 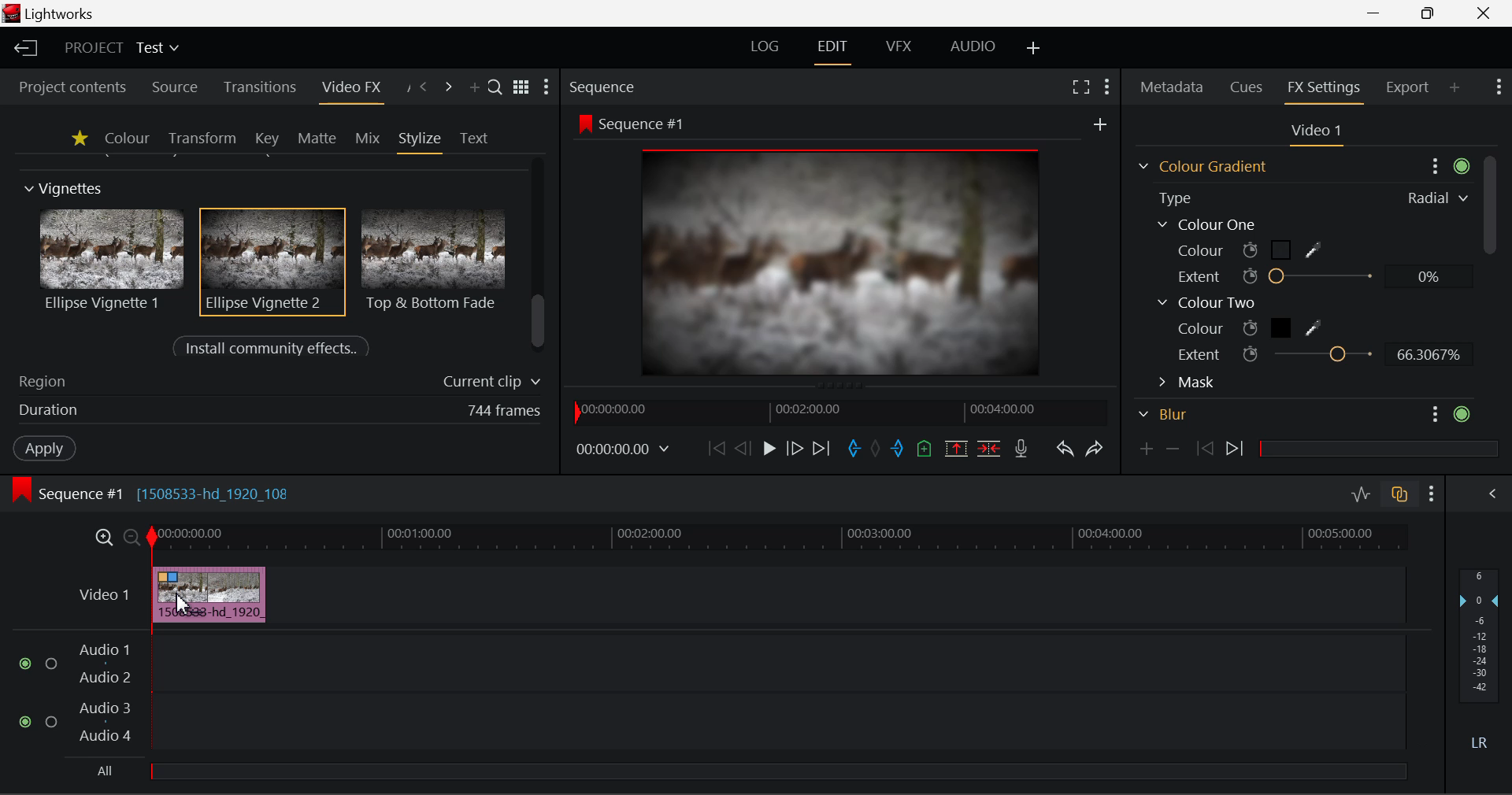 What do you see at coordinates (103, 538) in the screenshot?
I see `Timeline Zoom In` at bounding box center [103, 538].